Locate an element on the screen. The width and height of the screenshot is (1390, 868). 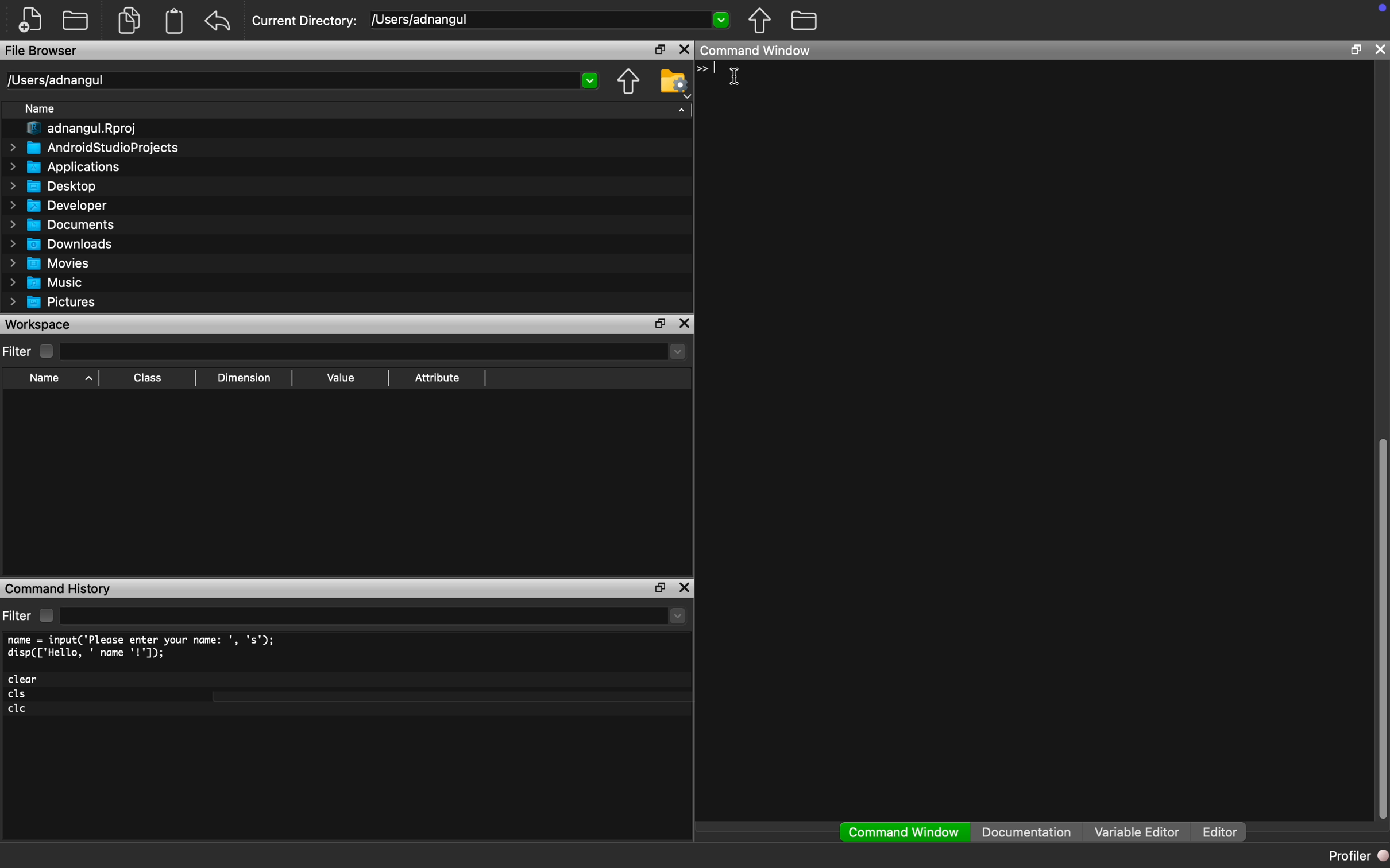
New file is located at coordinates (30, 20).